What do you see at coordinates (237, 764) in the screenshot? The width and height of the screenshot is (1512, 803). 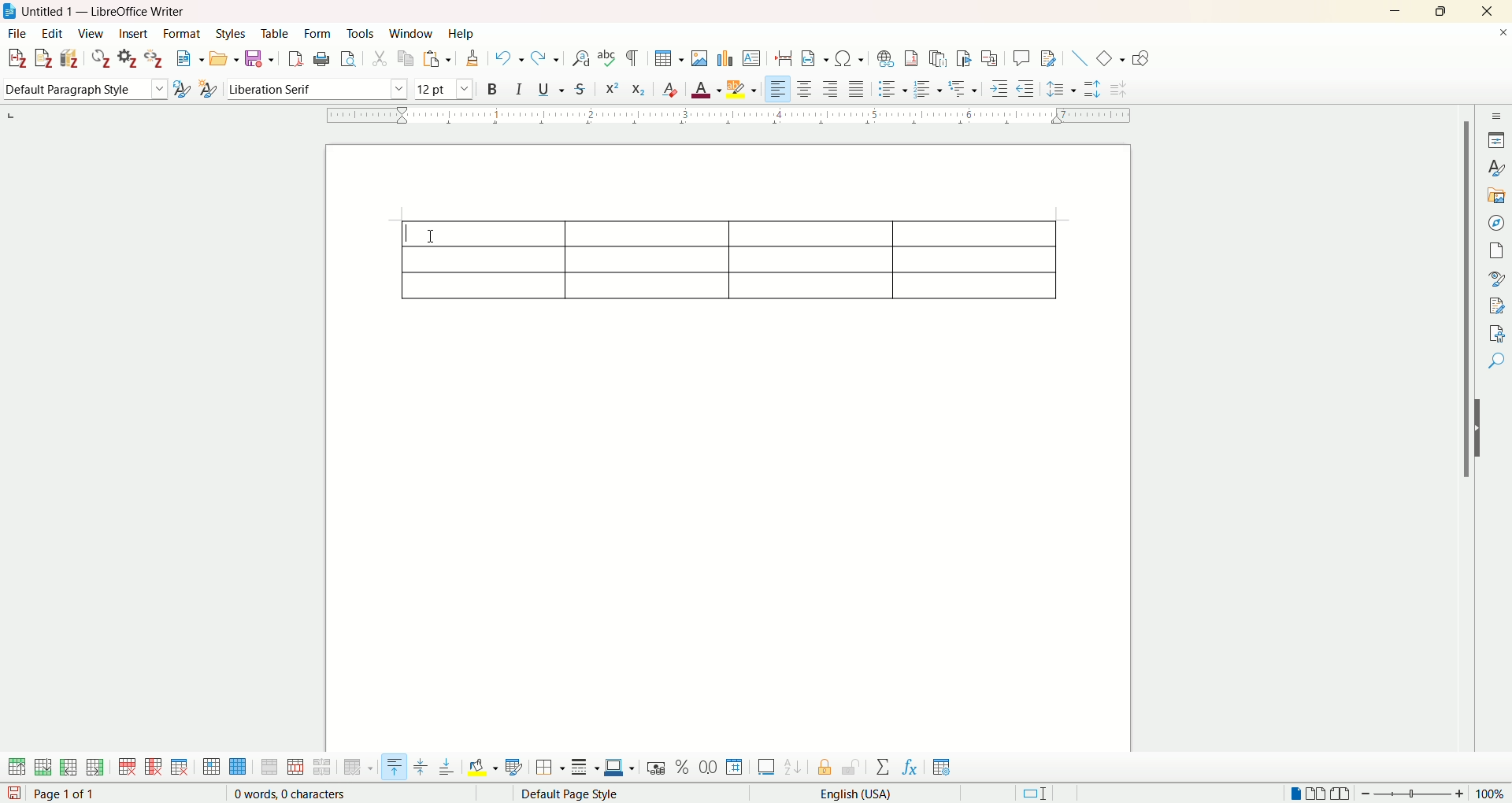 I see `select table` at bounding box center [237, 764].